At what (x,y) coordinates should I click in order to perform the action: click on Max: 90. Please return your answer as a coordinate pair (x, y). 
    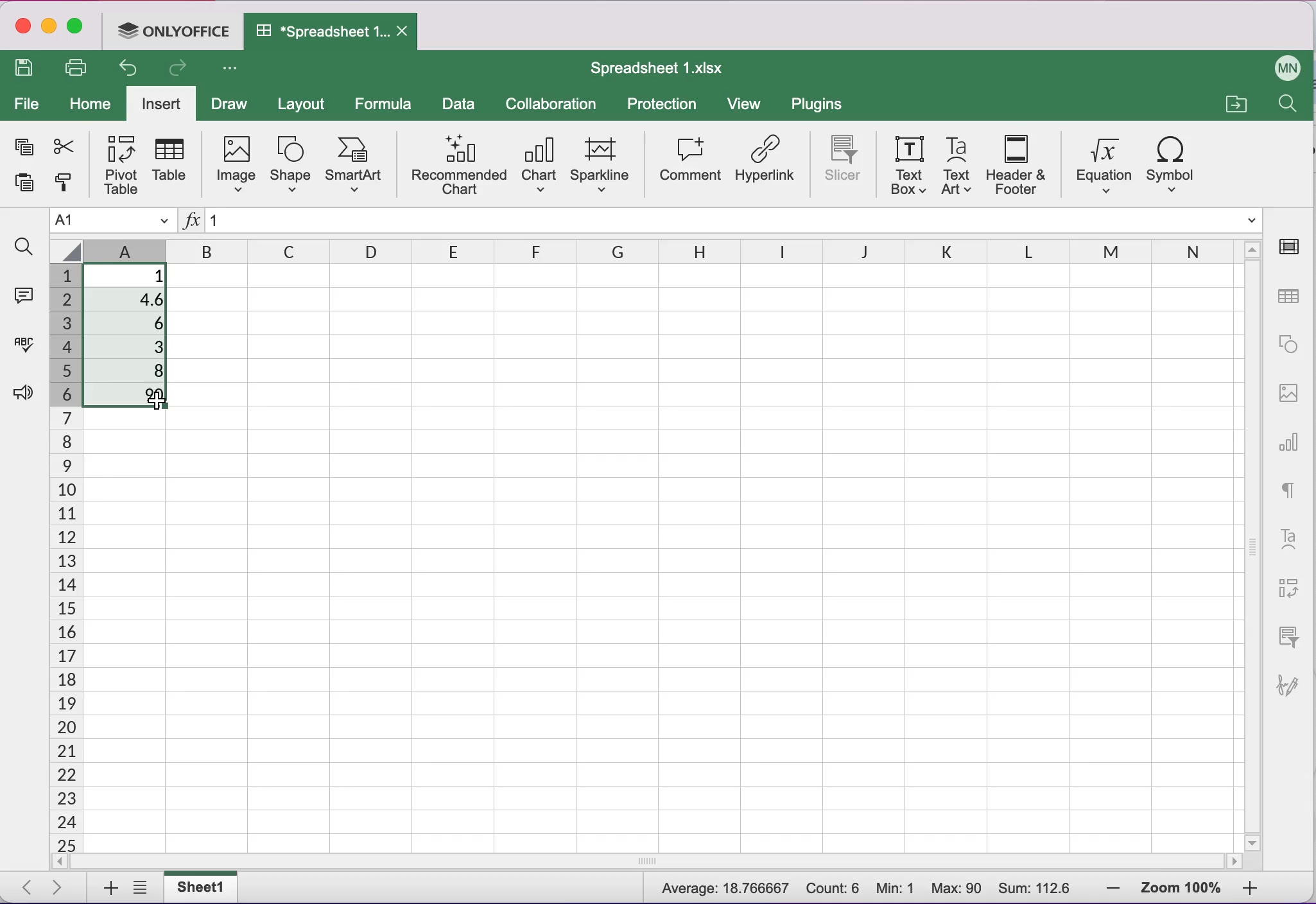
    Looking at the image, I should click on (957, 887).